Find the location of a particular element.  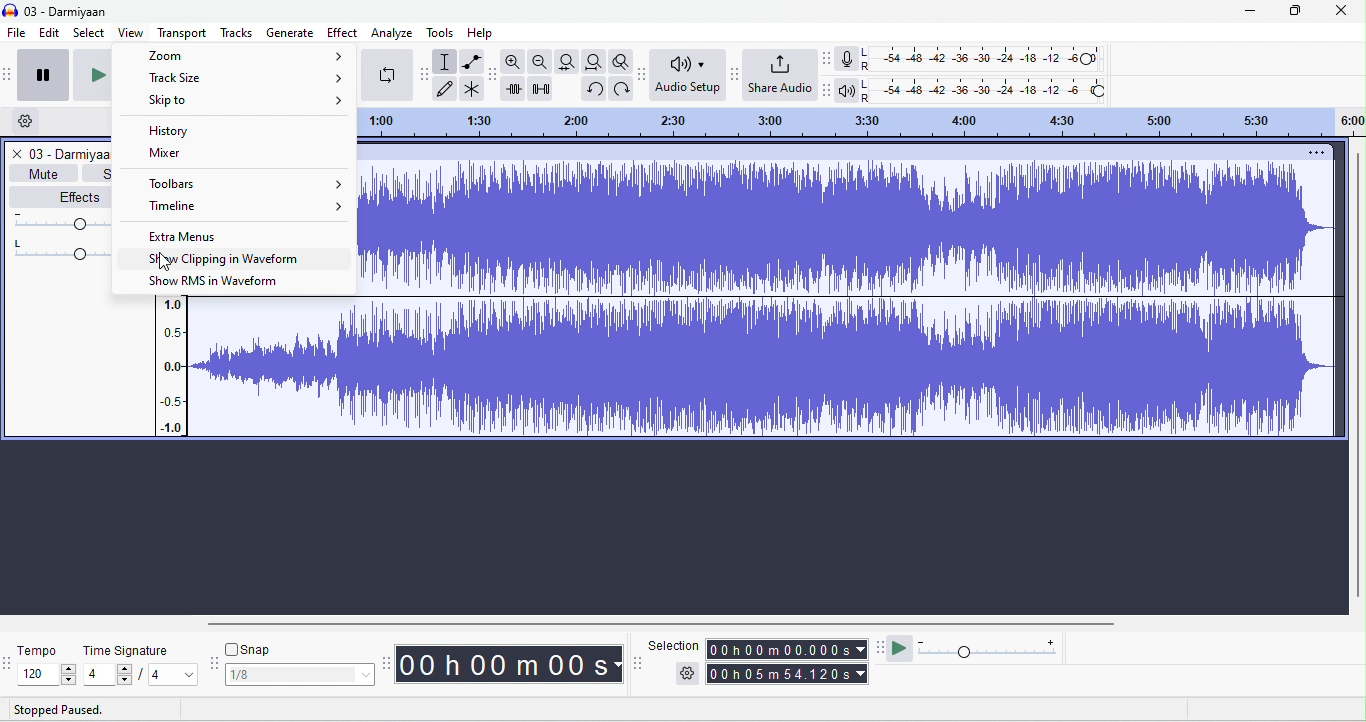

effects is located at coordinates (61, 197).